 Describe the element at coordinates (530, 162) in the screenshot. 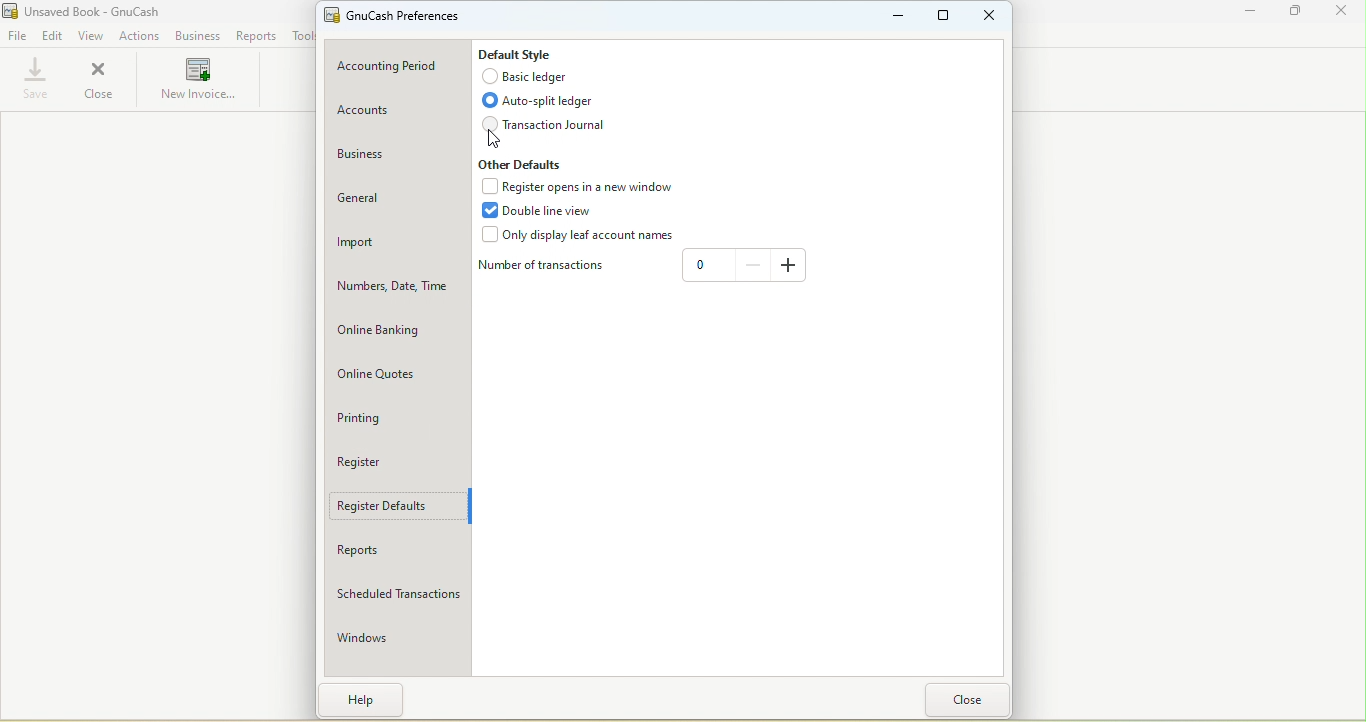

I see `Other defaults` at that location.